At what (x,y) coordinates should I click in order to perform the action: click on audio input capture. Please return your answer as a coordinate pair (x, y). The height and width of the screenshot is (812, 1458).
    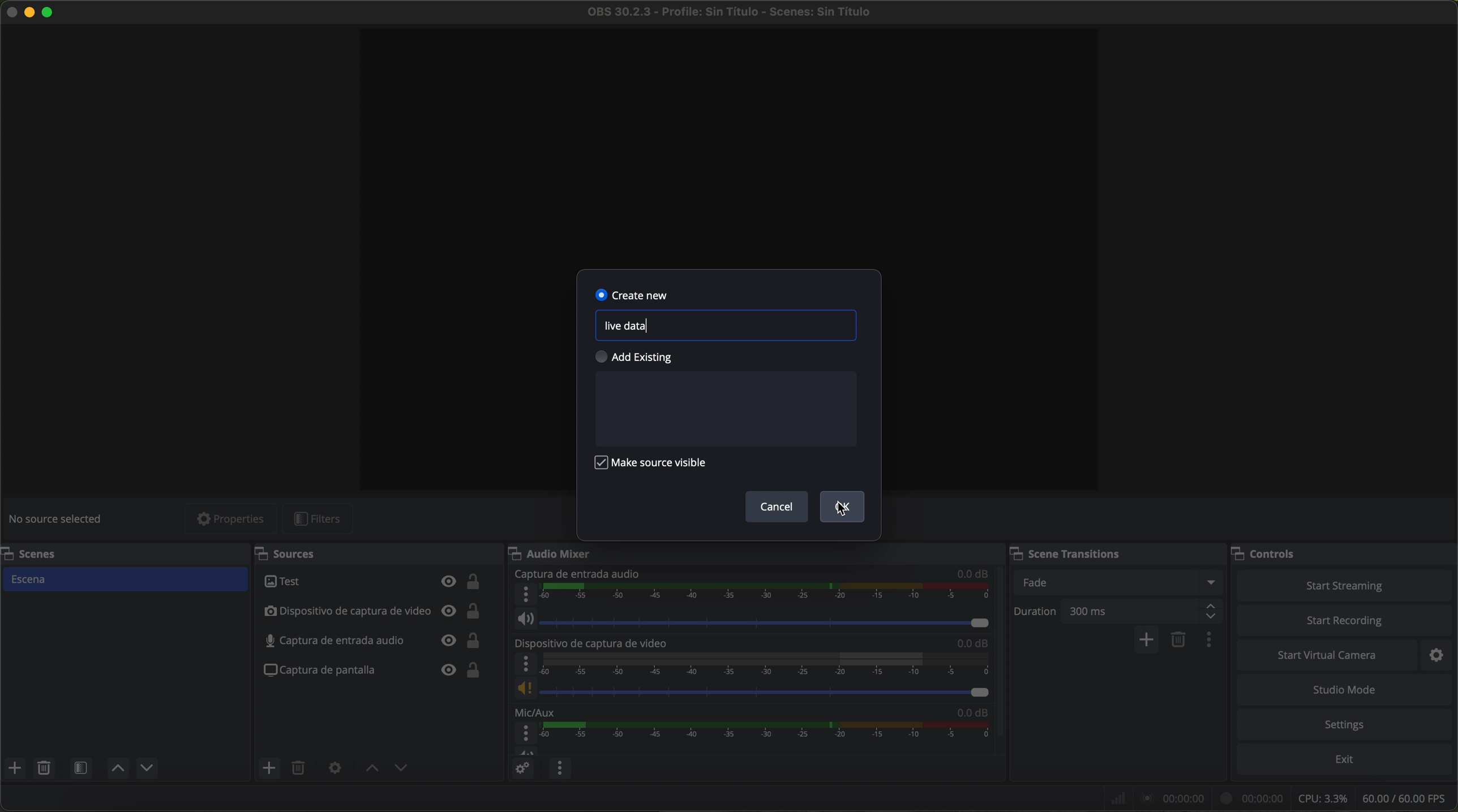
    Looking at the image, I should click on (578, 574).